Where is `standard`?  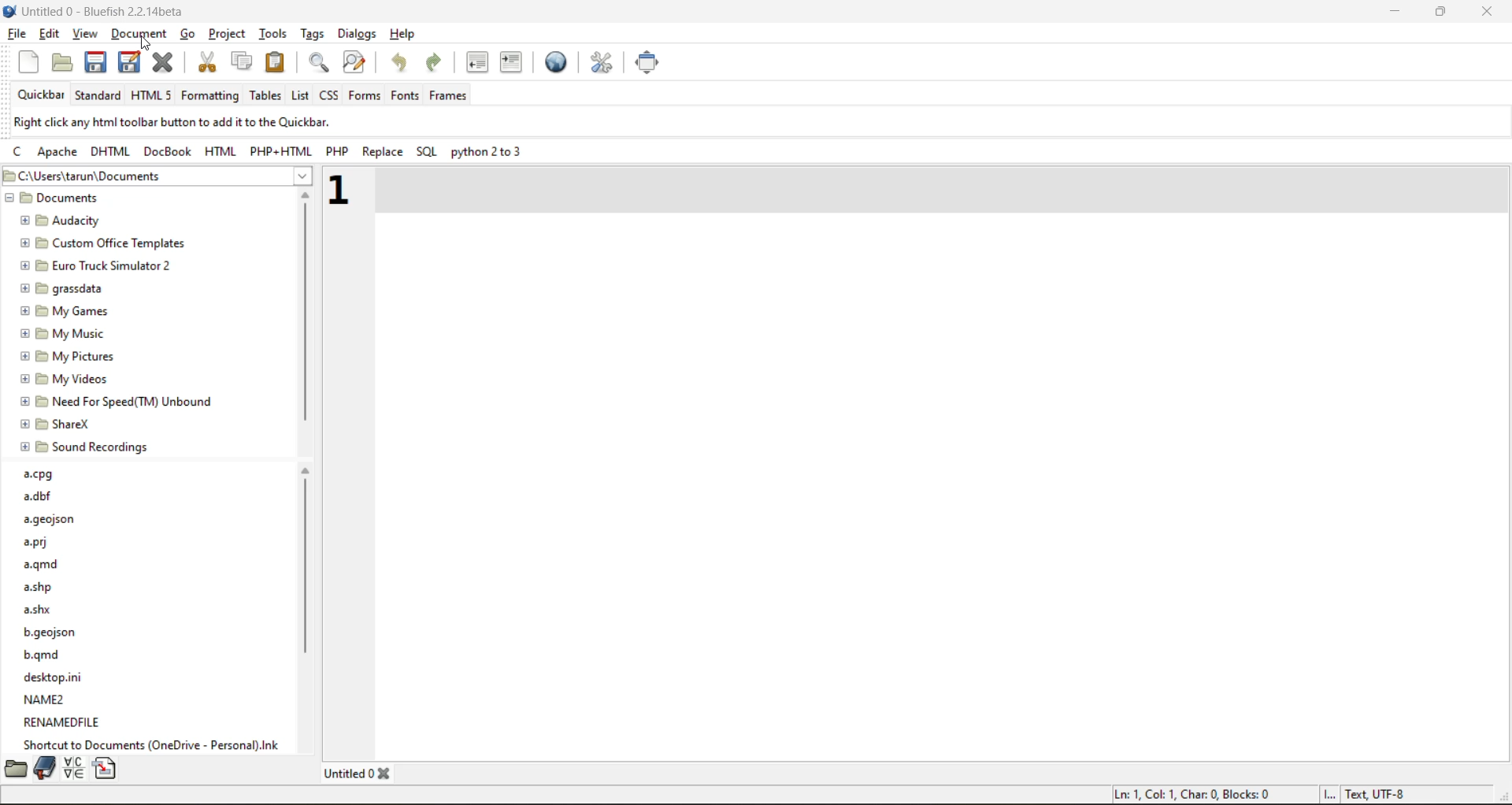
standard is located at coordinates (100, 97).